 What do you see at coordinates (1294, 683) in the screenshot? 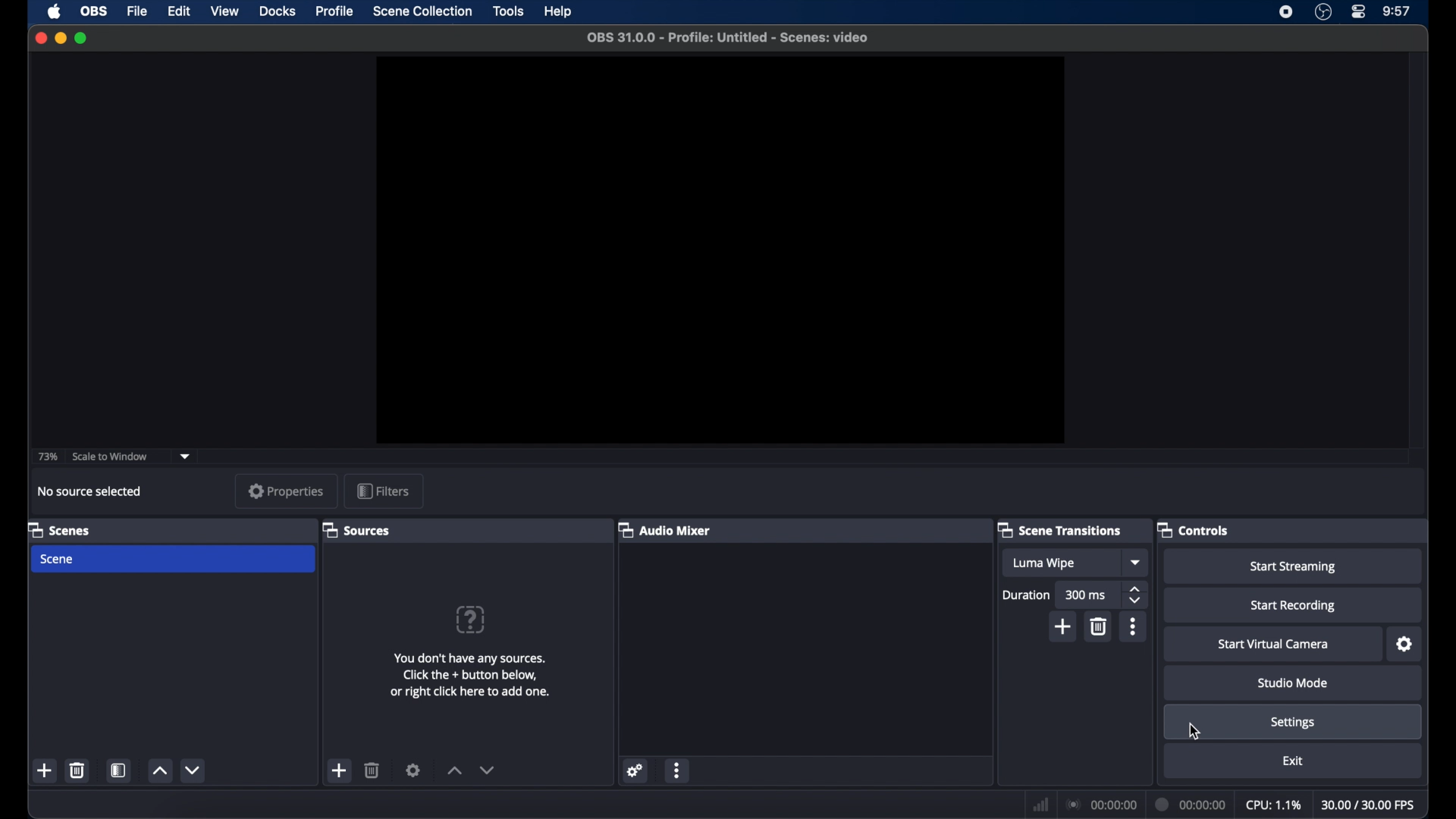
I see `studio mode` at bounding box center [1294, 683].